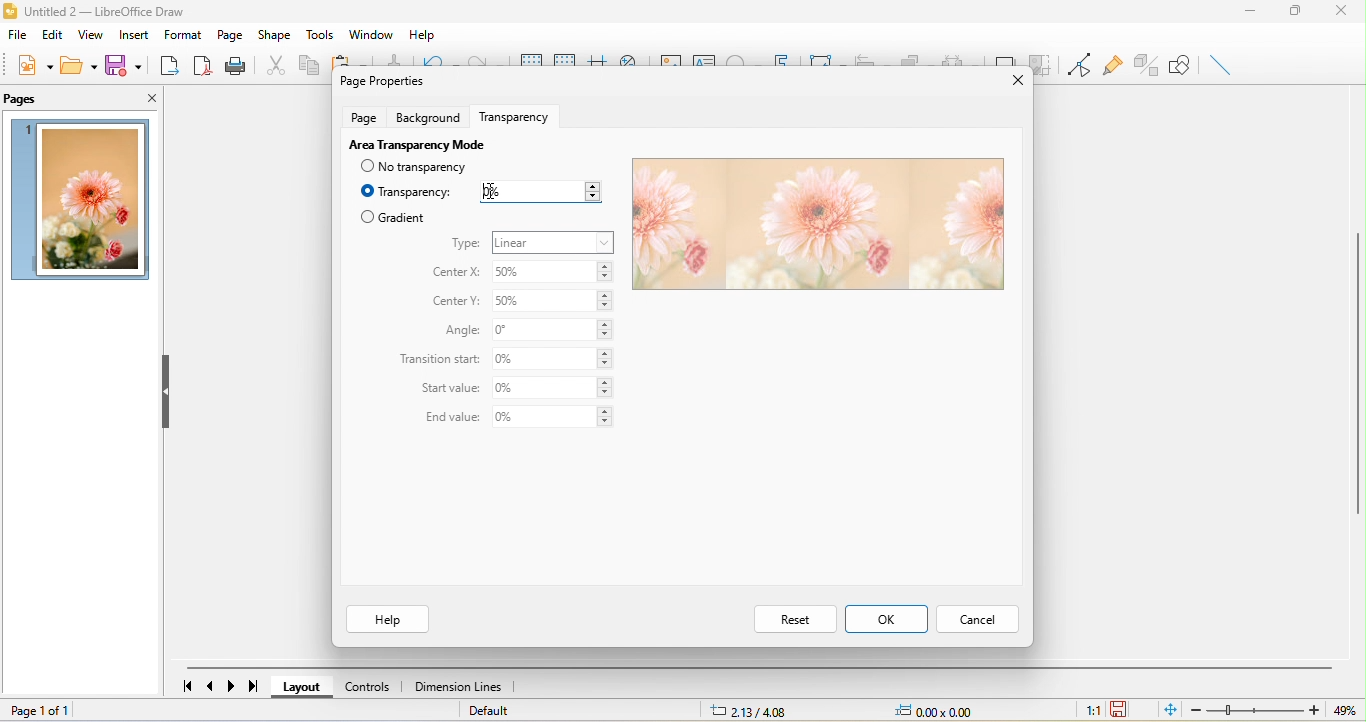 This screenshot has height=722, width=1366. What do you see at coordinates (318, 34) in the screenshot?
I see `tools` at bounding box center [318, 34].